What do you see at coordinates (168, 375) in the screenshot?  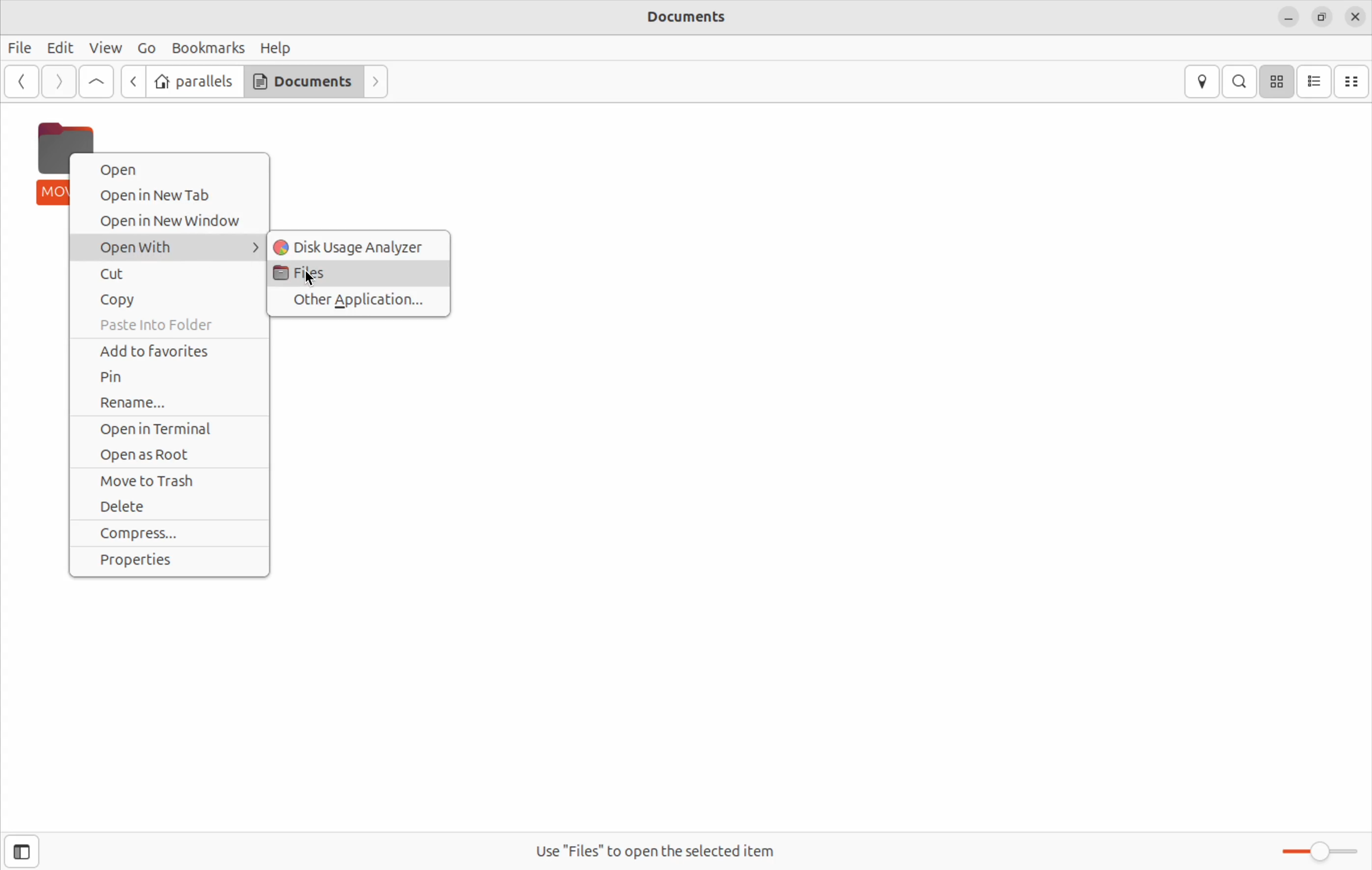 I see `Pin` at bounding box center [168, 375].